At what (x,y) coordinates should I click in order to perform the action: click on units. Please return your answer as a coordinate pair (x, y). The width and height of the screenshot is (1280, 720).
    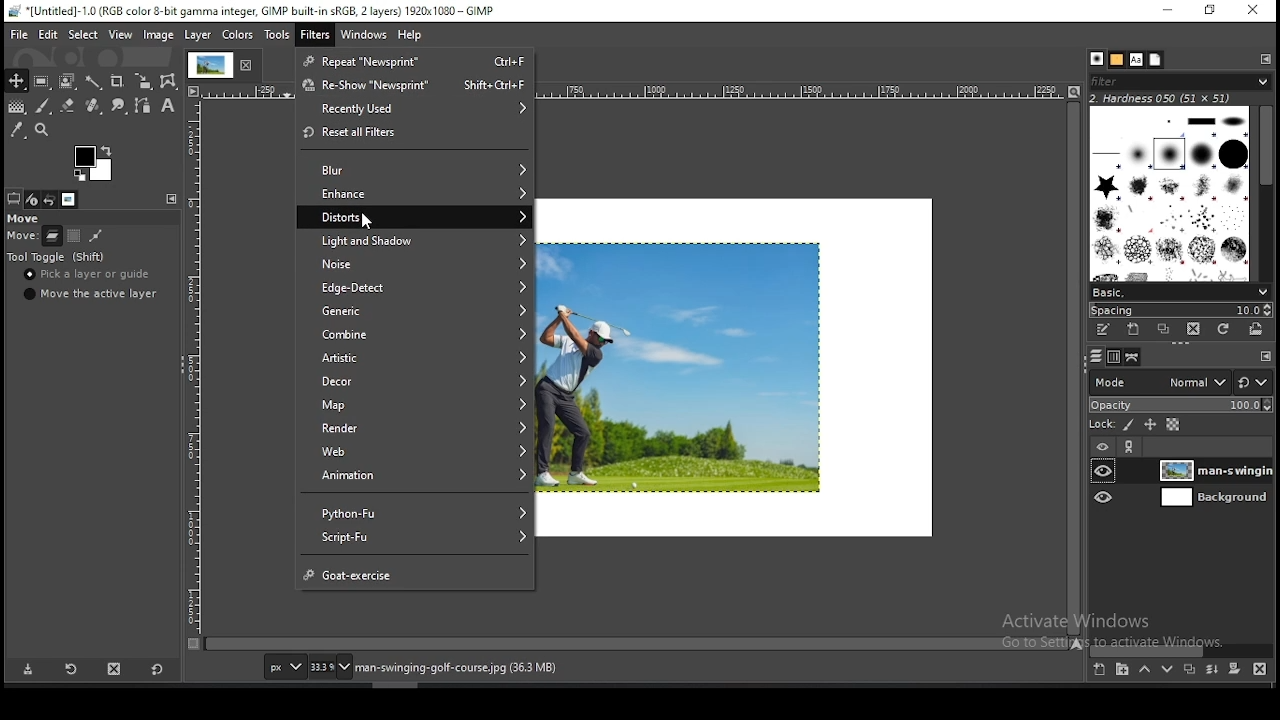
    Looking at the image, I should click on (284, 667).